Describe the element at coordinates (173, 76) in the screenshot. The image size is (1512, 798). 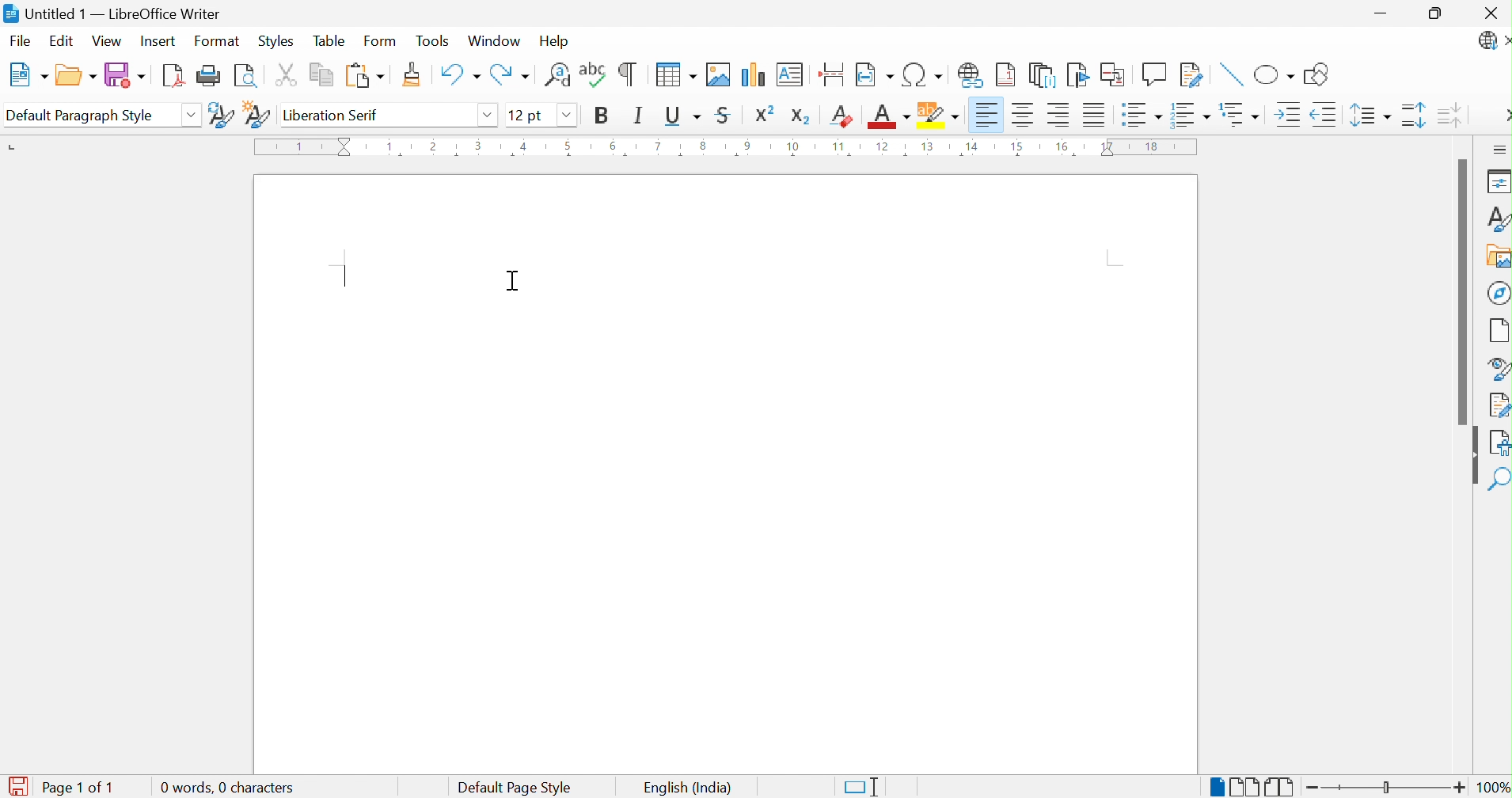
I see `Export as PDF` at that location.